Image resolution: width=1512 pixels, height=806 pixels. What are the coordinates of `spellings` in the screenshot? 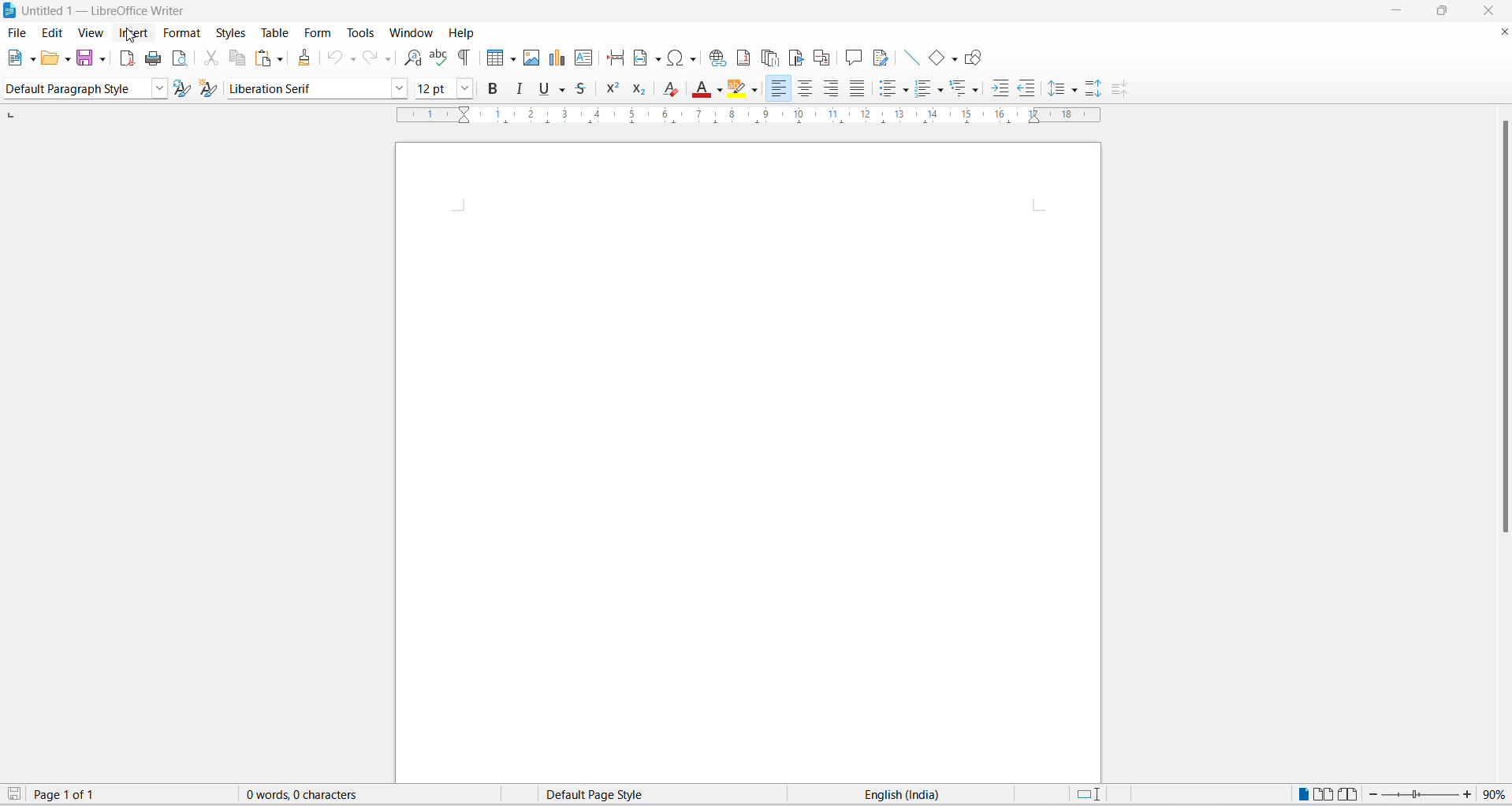 It's located at (440, 58).